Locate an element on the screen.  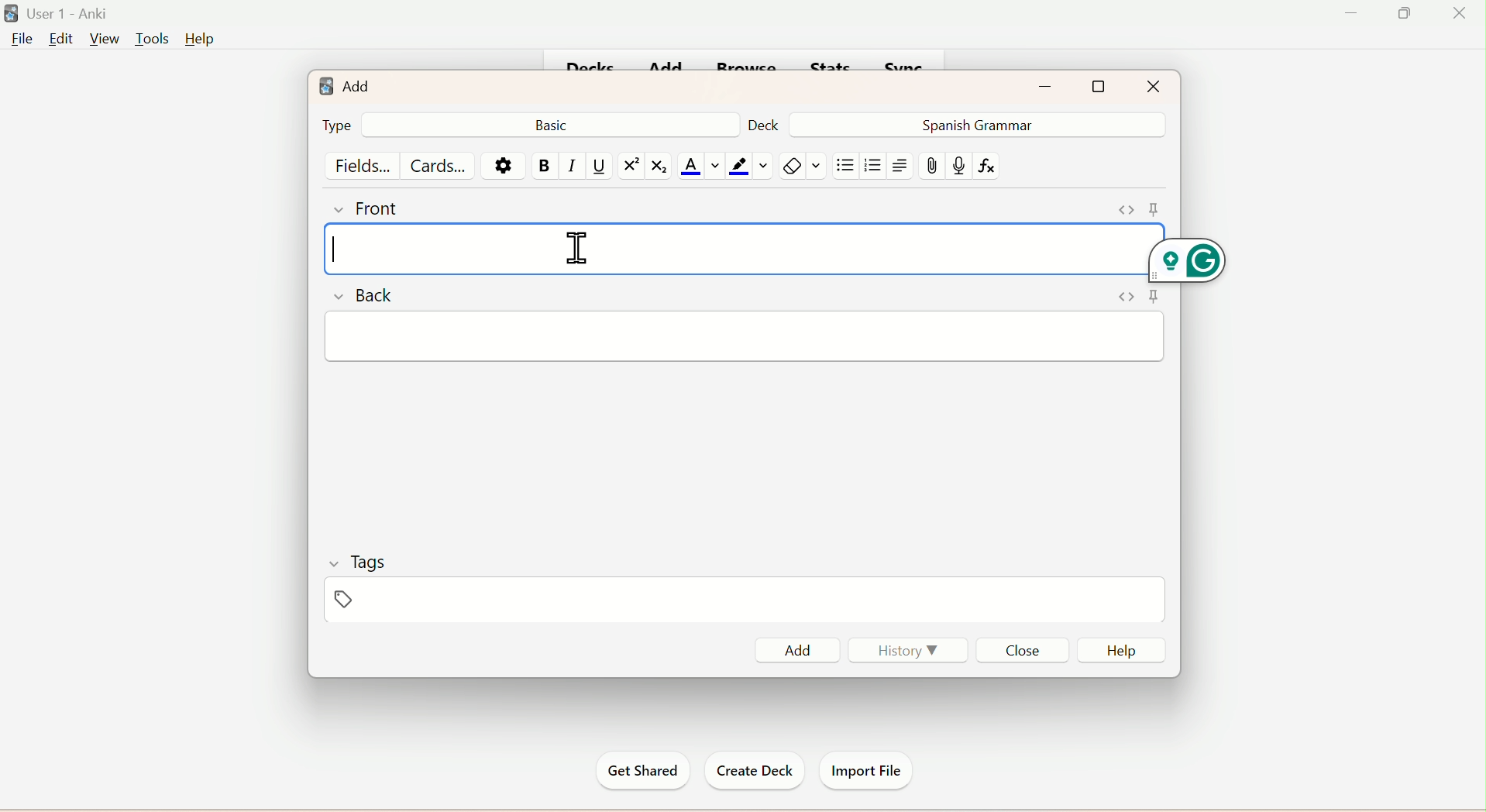
typing cursor is located at coordinates (335, 251).